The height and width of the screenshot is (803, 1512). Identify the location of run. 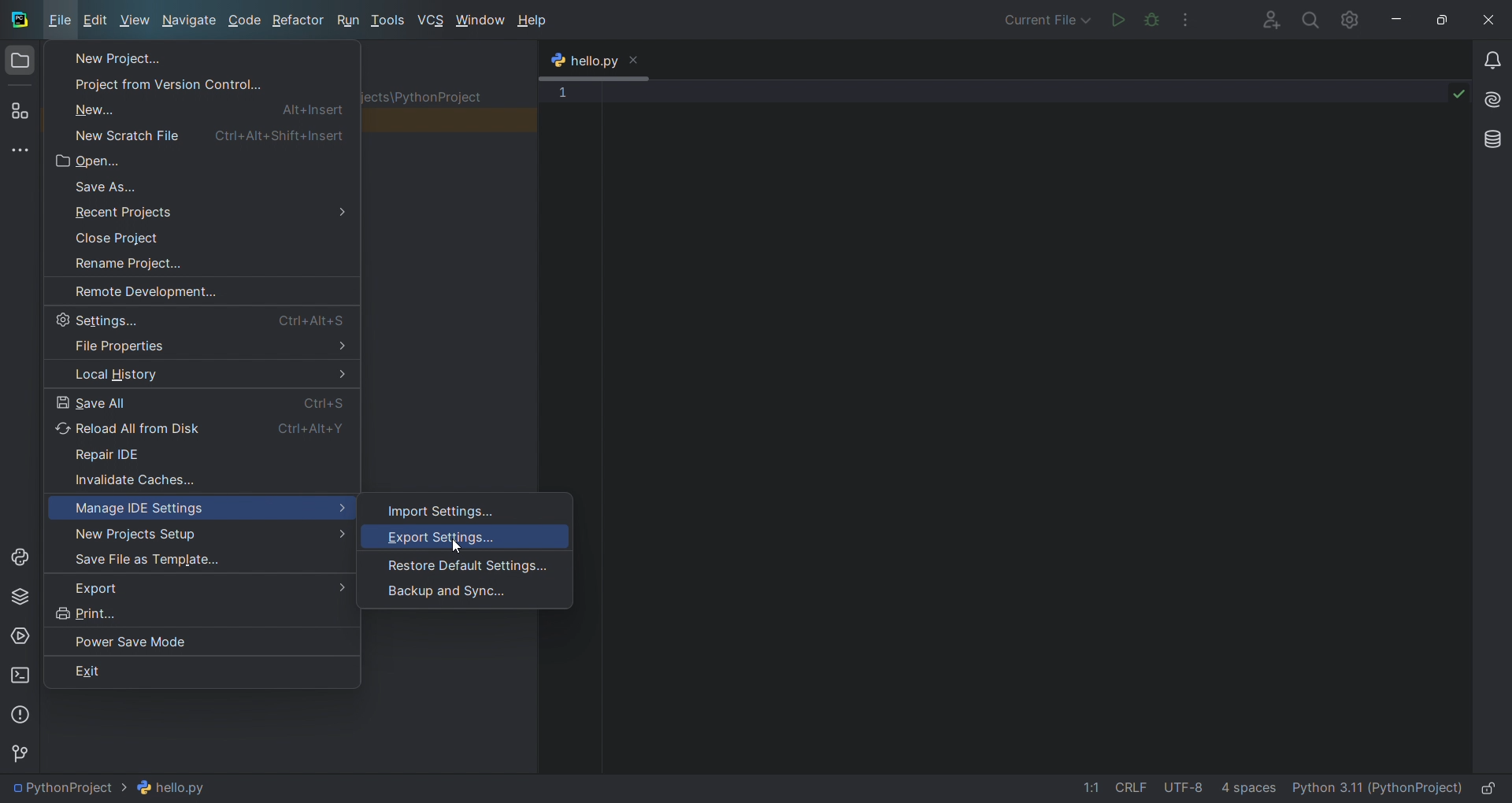
(349, 20).